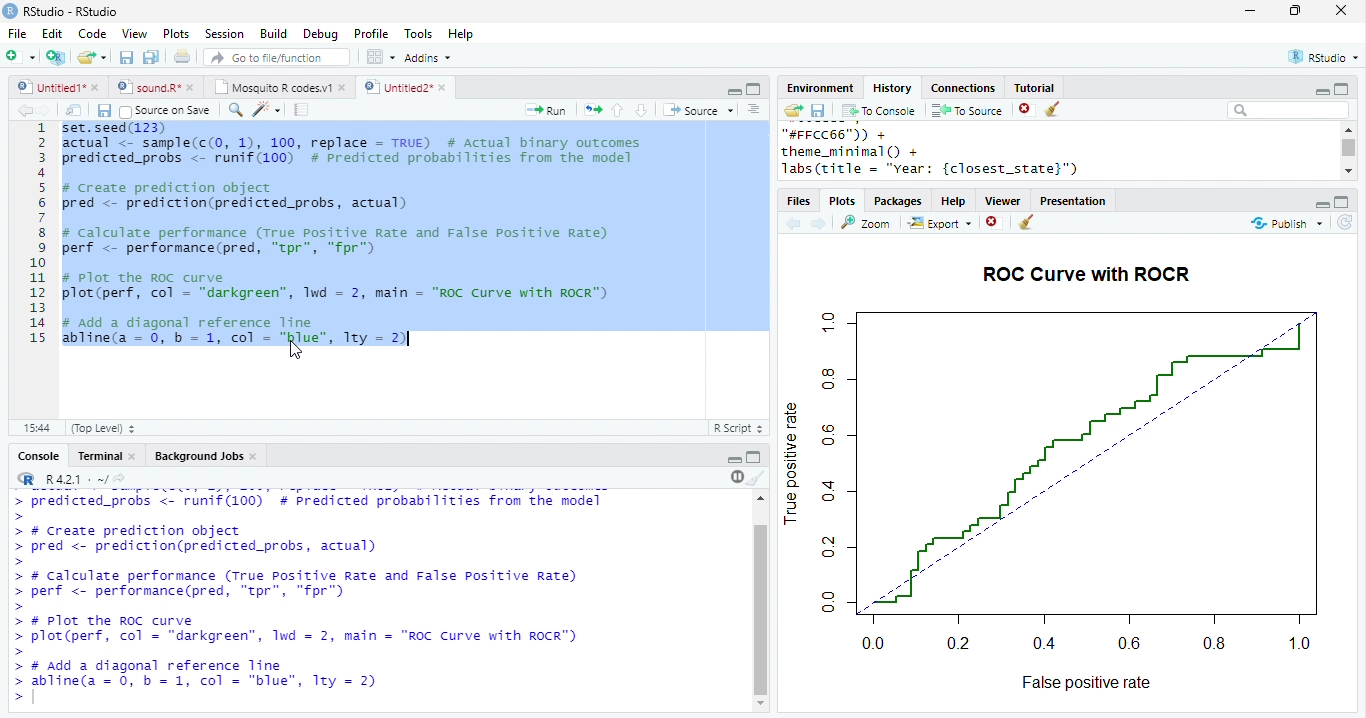  What do you see at coordinates (1054, 110) in the screenshot?
I see `clear` at bounding box center [1054, 110].